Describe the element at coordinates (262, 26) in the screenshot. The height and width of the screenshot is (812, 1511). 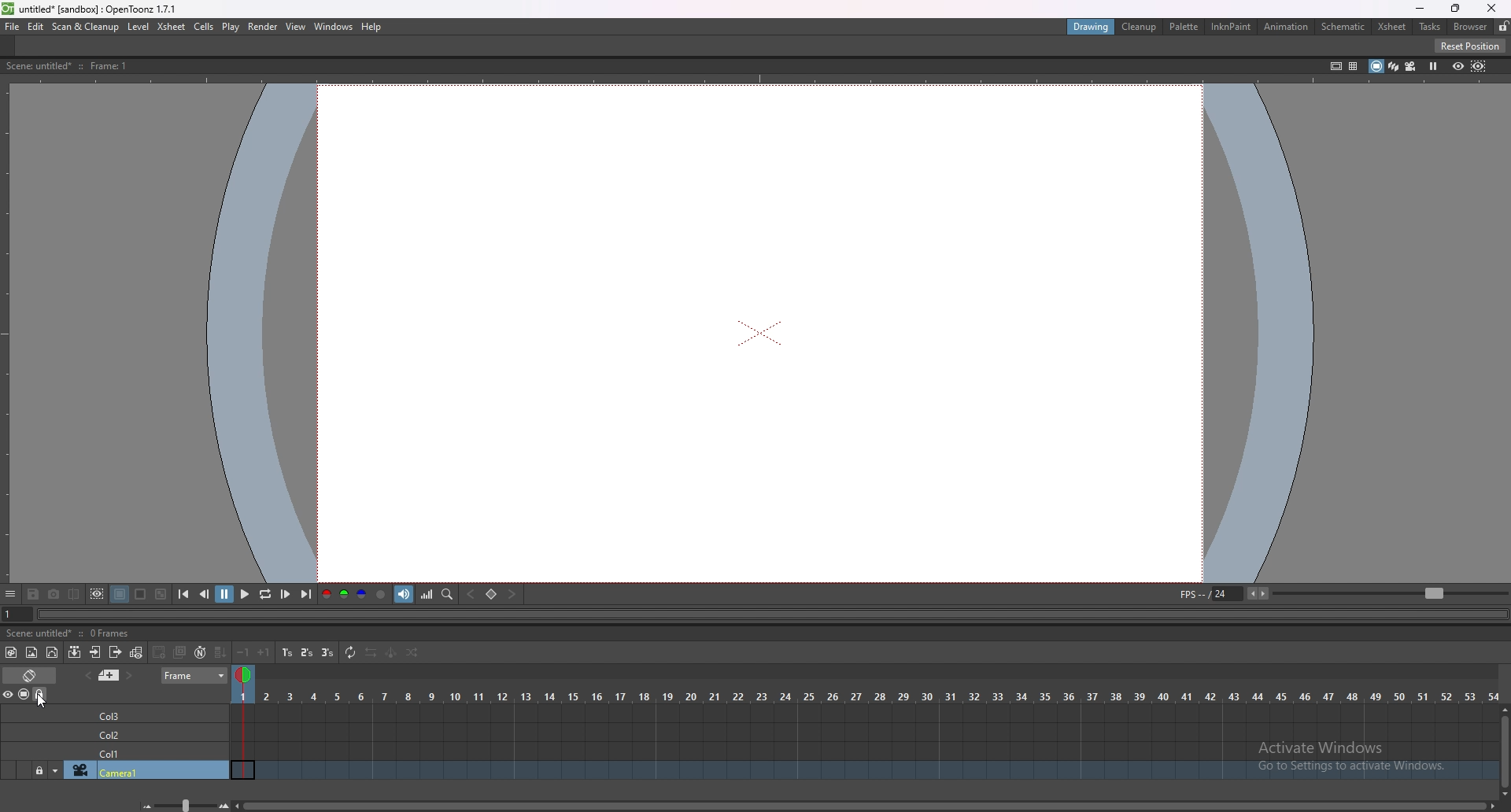
I see `render` at that location.